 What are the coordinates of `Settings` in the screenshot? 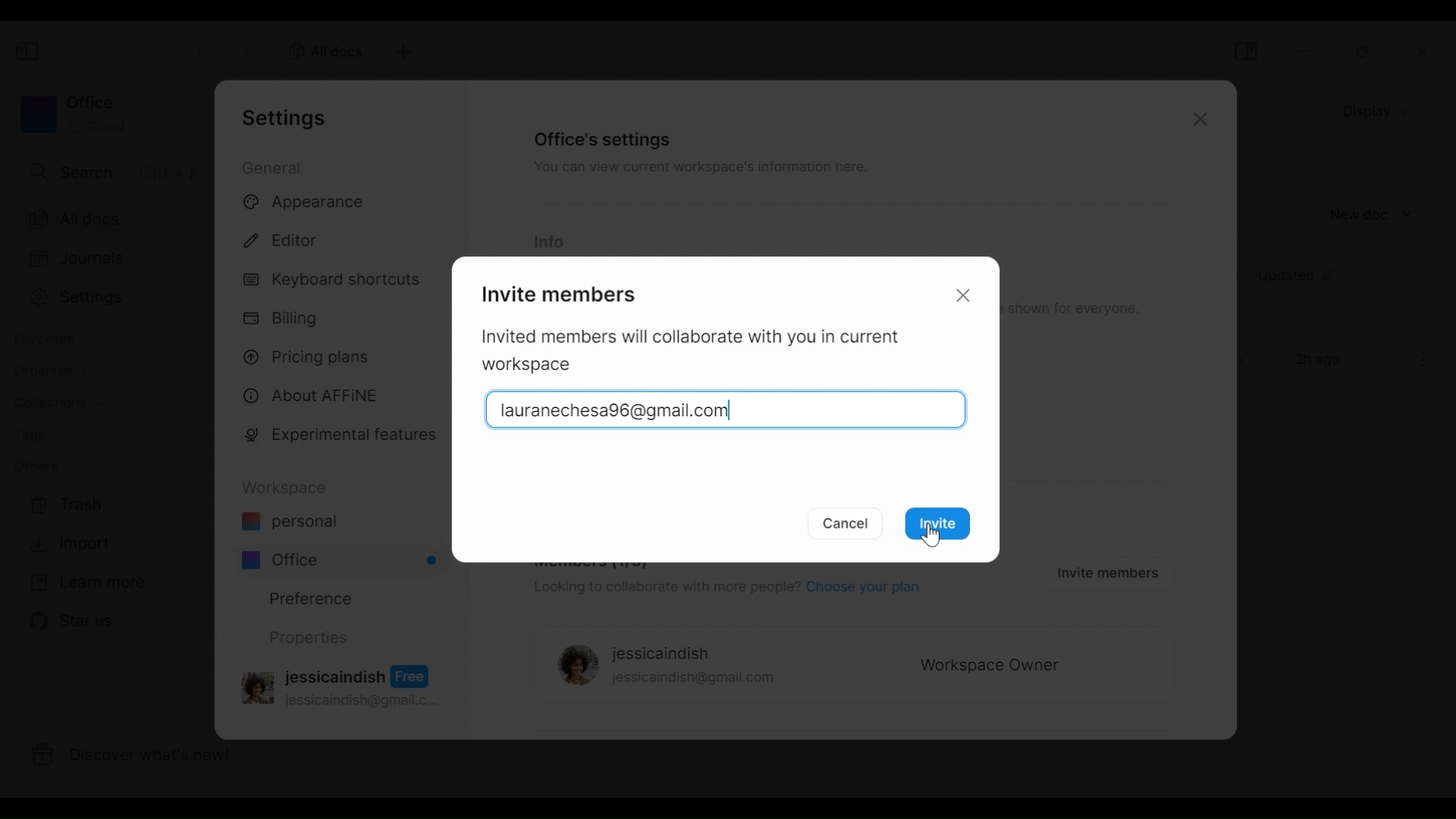 It's located at (289, 118).